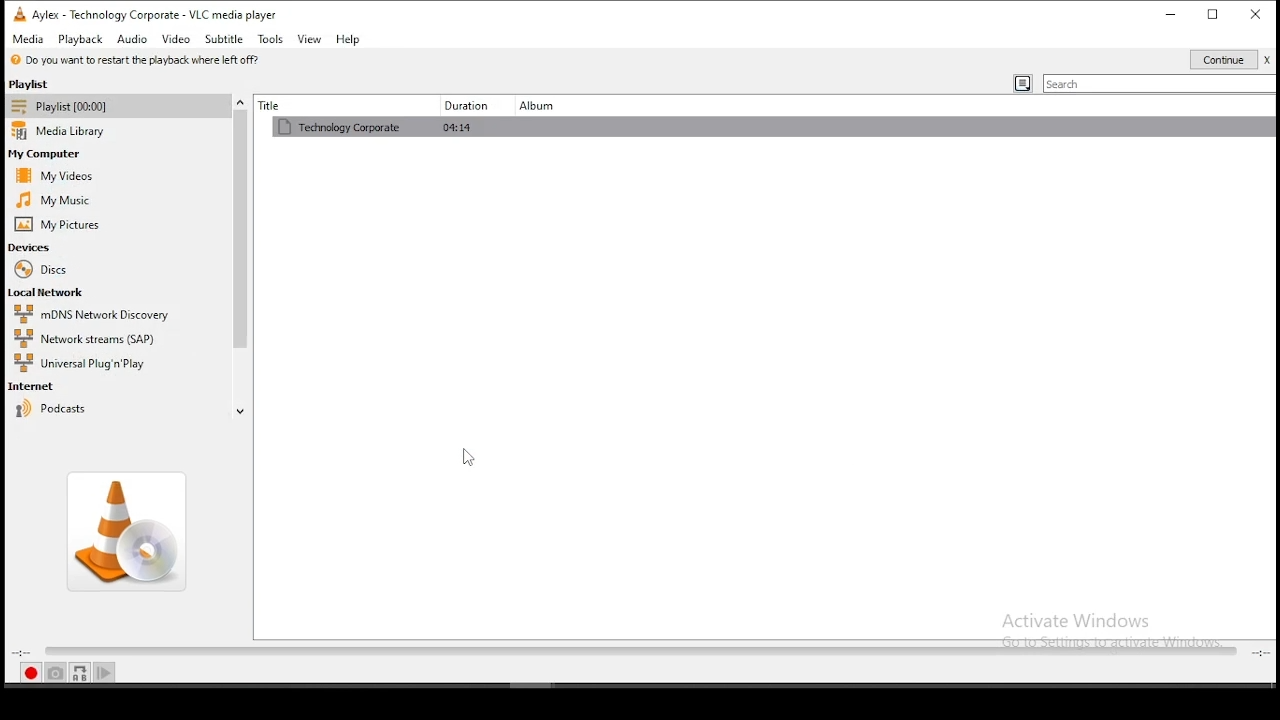 This screenshot has height=720, width=1280. What do you see at coordinates (42, 271) in the screenshot?
I see `discs` at bounding box center [42, 271].